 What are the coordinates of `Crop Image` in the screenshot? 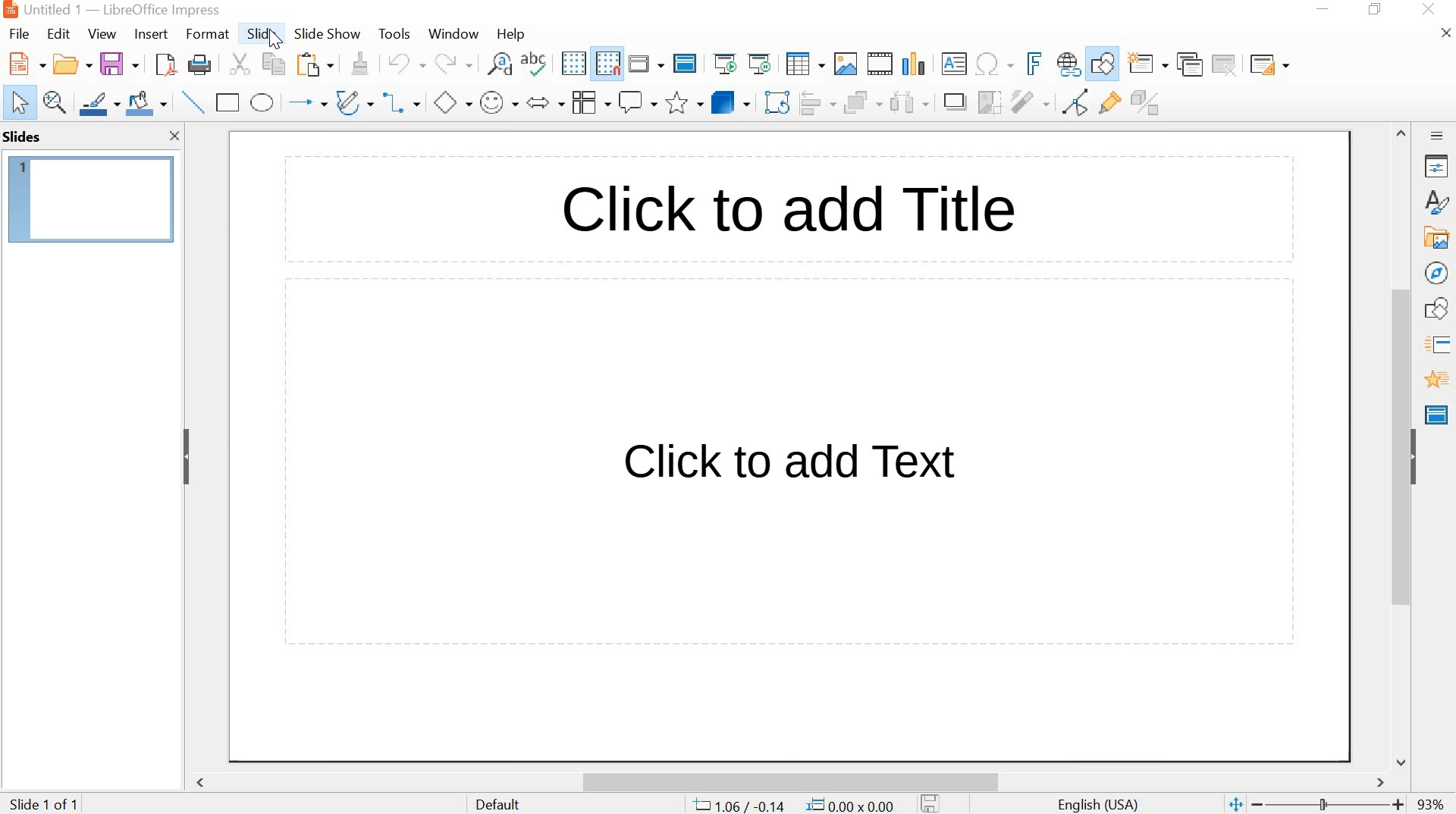 It's located at (988, 101).